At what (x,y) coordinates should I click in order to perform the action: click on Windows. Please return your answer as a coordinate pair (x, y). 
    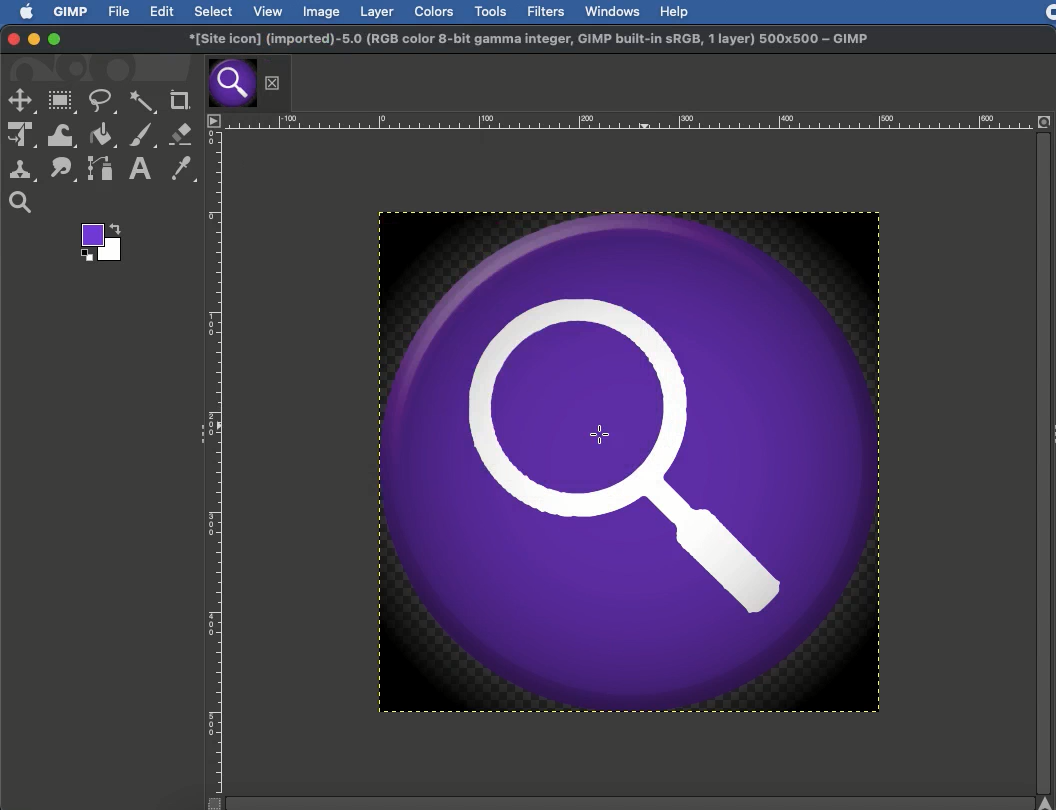
    Looking at the image, I should click on (612, 10).